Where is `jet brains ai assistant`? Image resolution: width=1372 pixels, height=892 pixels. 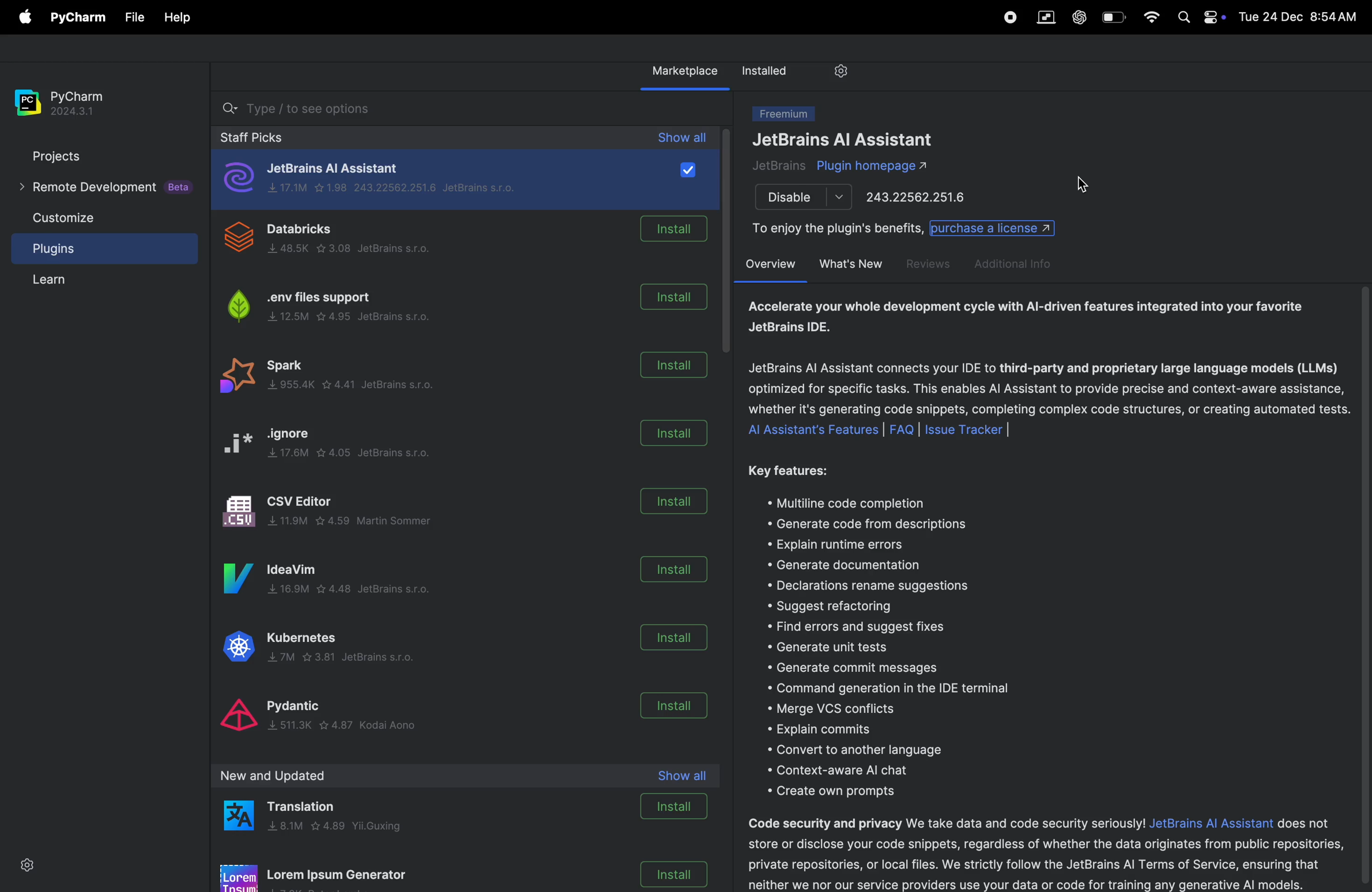 jet brains ai assistant is located at coordinates (883, 138).